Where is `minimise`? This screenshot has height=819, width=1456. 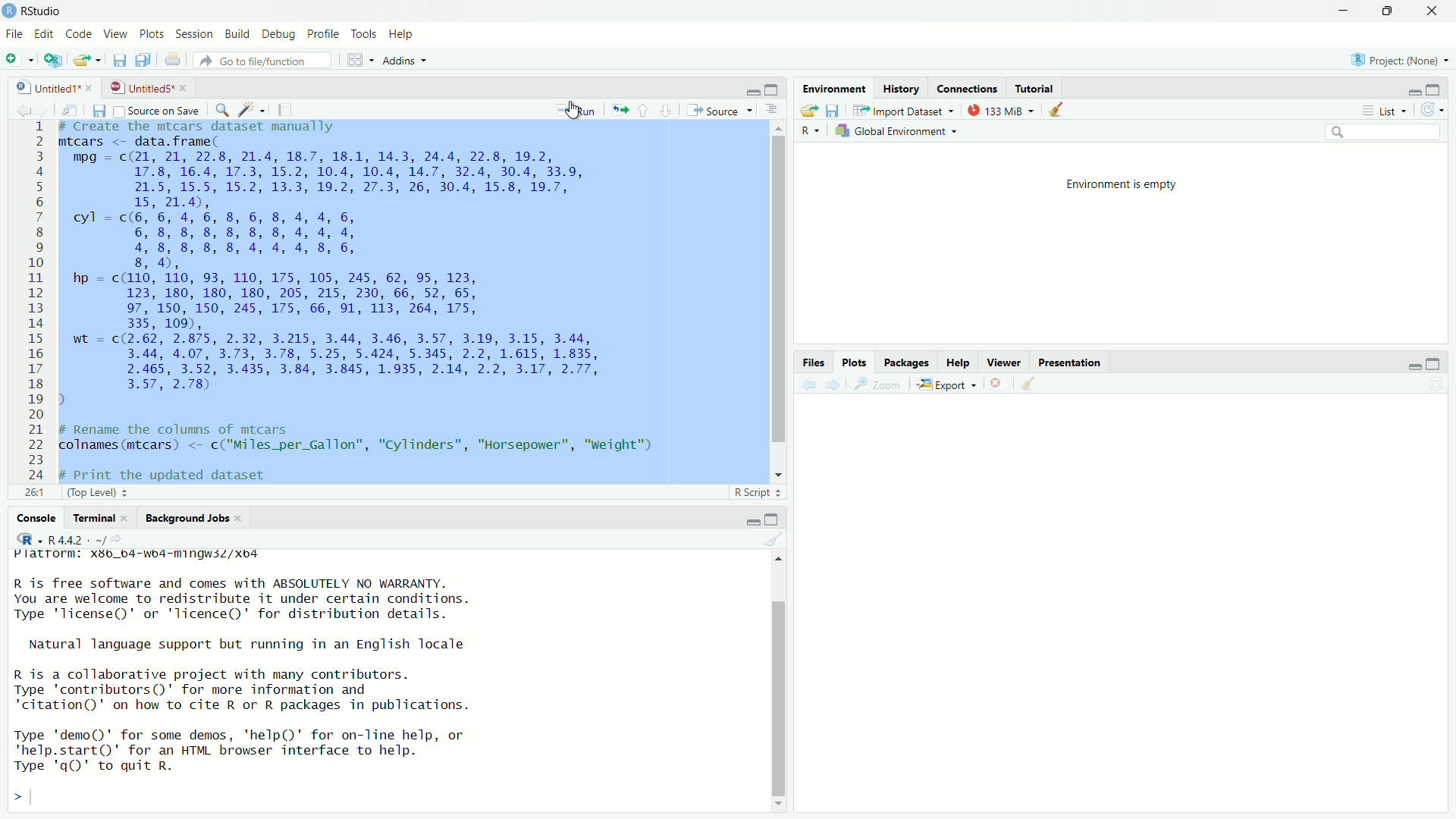
minimise is located at coordinates (1407, 89).